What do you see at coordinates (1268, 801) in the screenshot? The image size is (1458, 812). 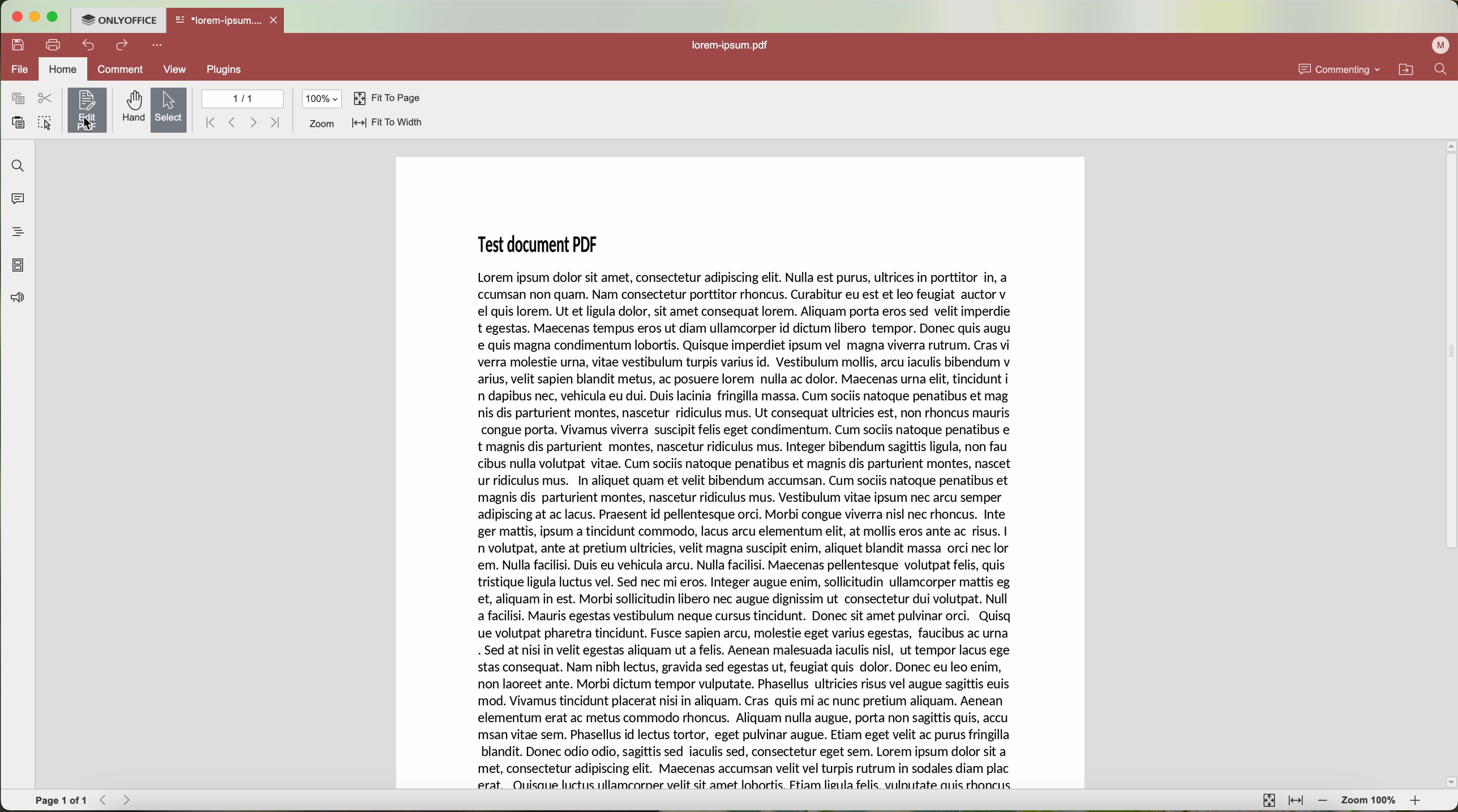 I see `fit to page` at bounding box center [1268, 801].